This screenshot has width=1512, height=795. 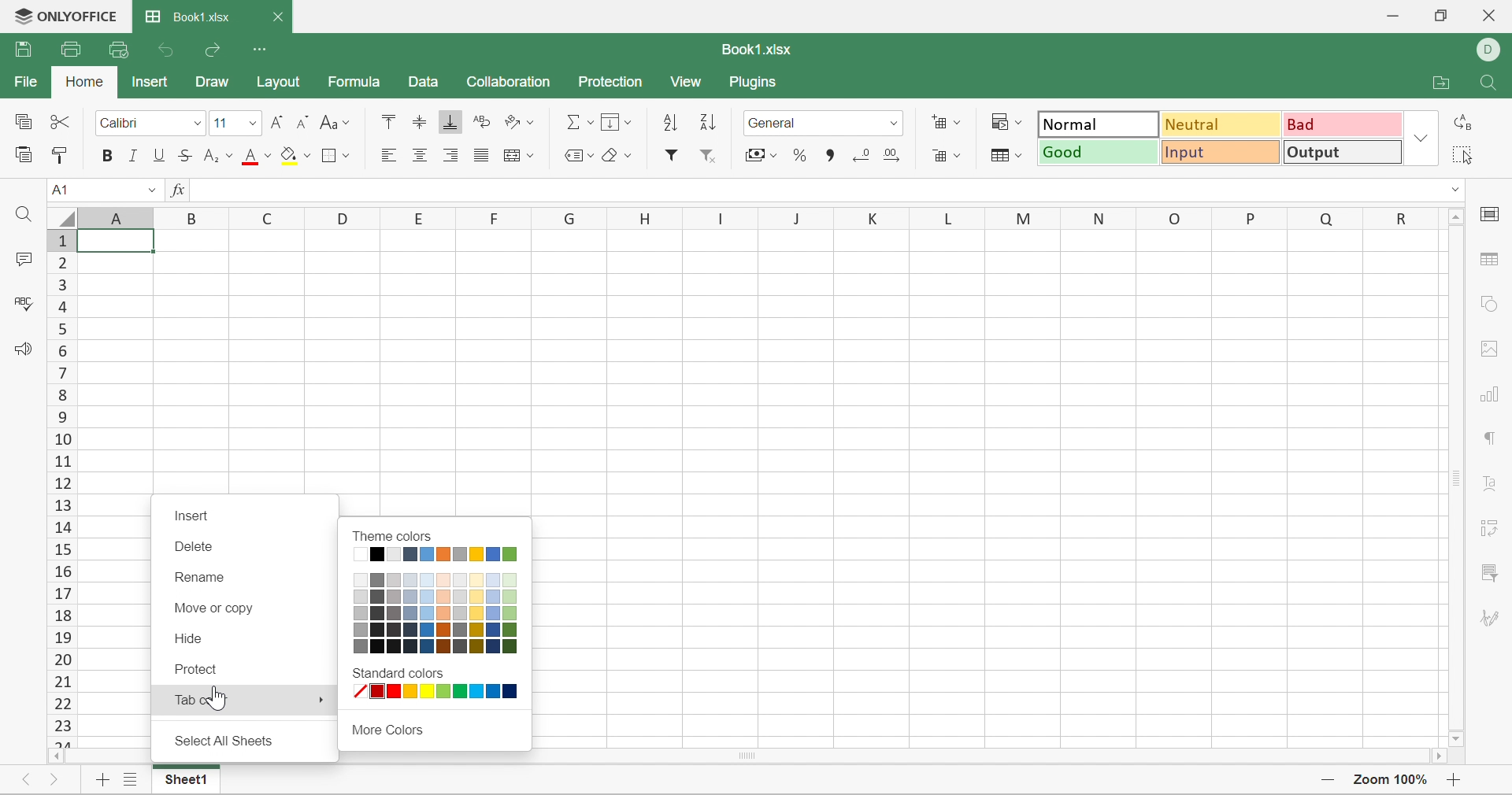 What do you see at coordinates (65, 124) in the screenshot?
I see `Cut` at bounding box center [65, 124].